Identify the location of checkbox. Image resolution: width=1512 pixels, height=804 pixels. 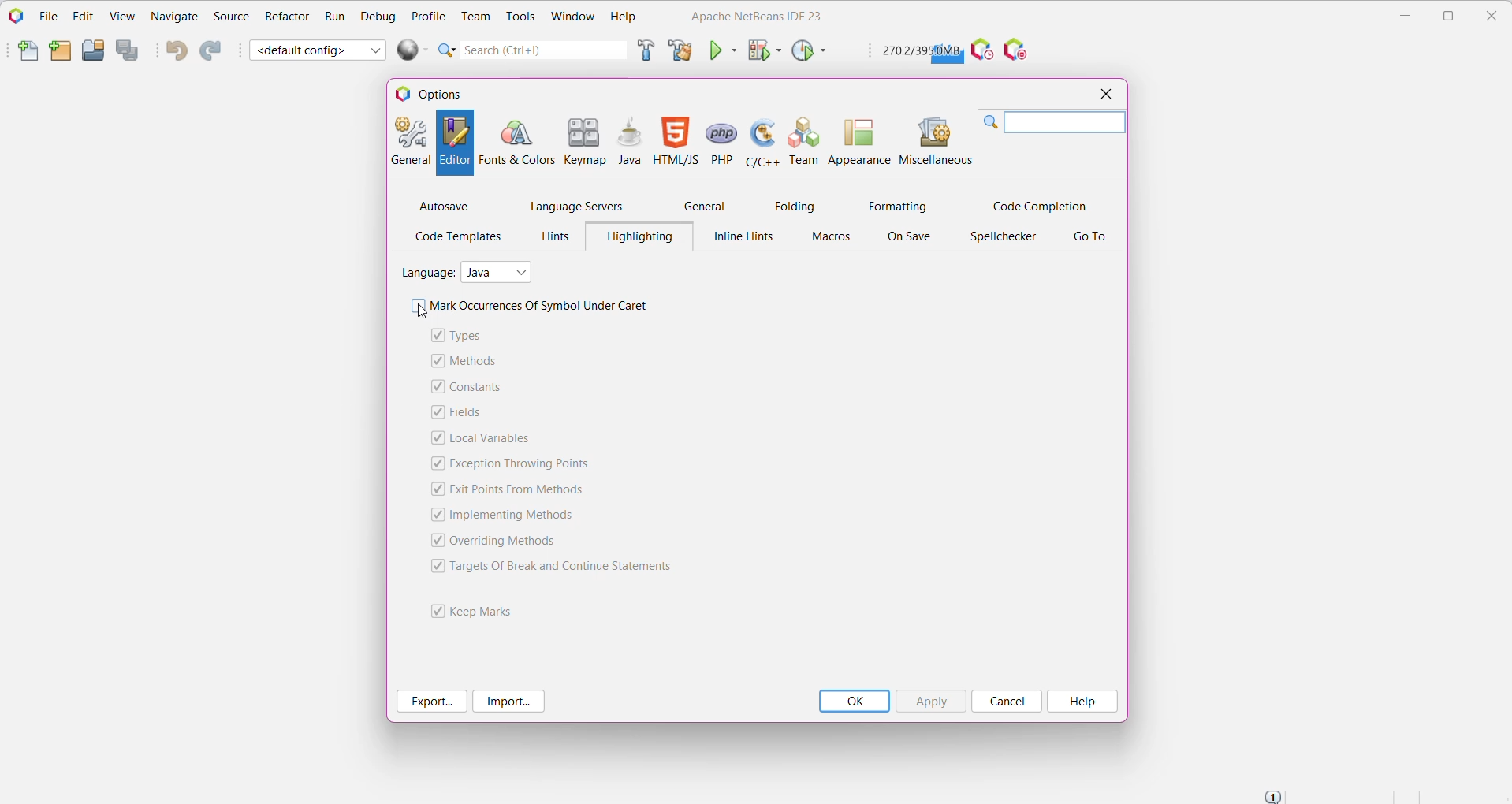
(434, 540).